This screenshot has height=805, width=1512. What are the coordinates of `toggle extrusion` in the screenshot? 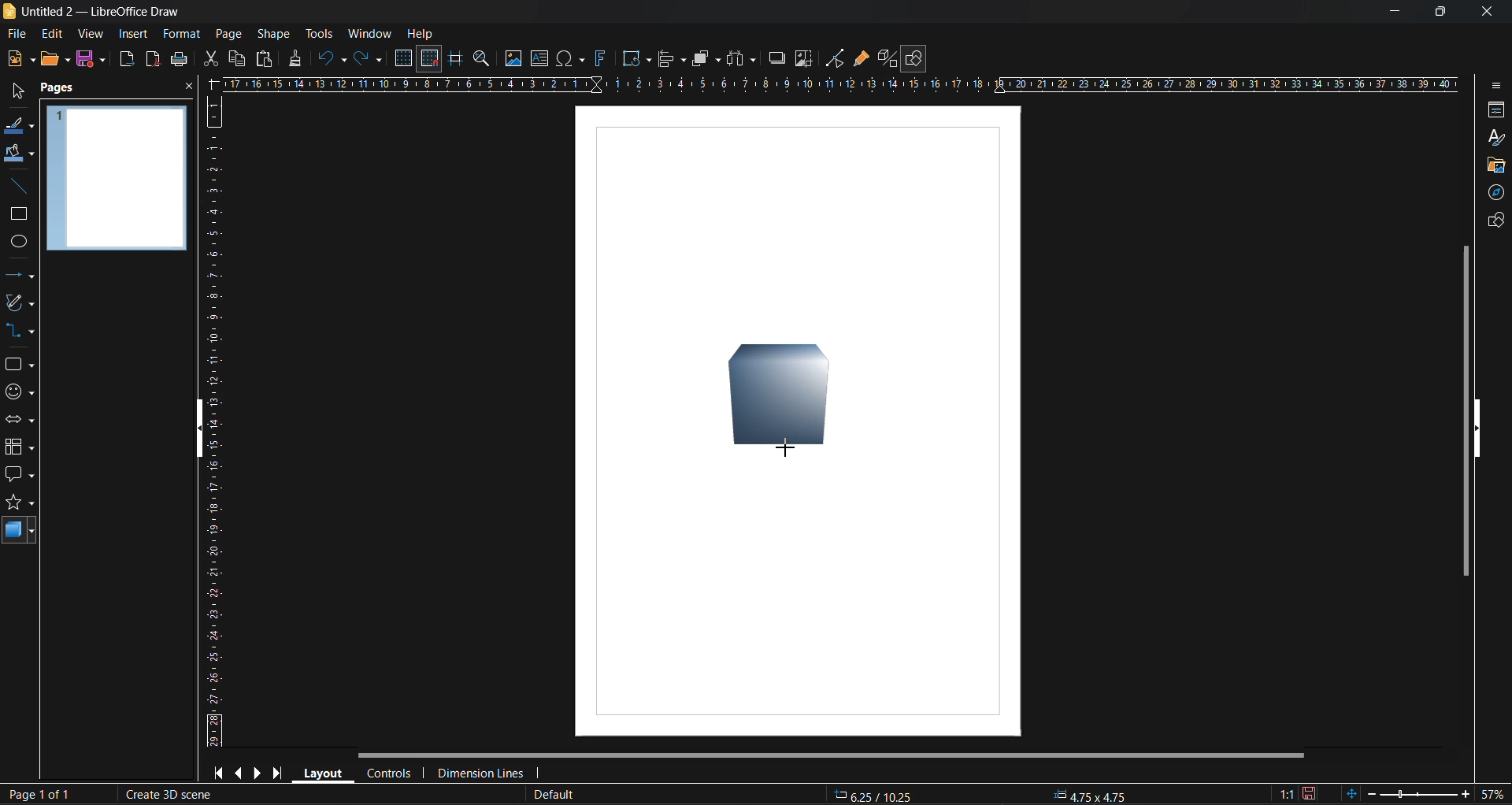 It's located at (886, 58).